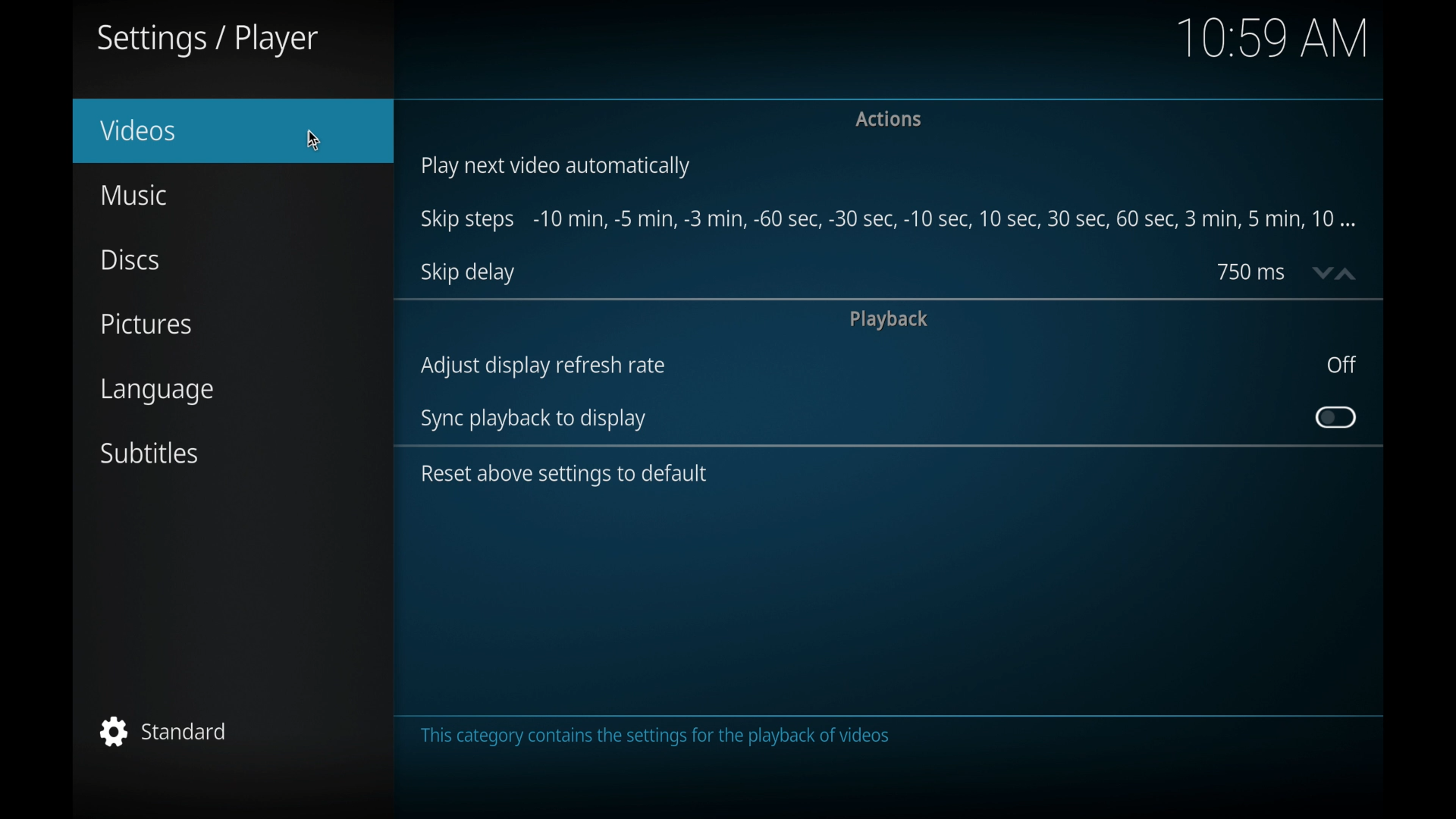 The width and height of the screenshot is (1456, 819). Describe the element at coordinates (1338, 418) in the screenshot. I see `toggle button` at that location.